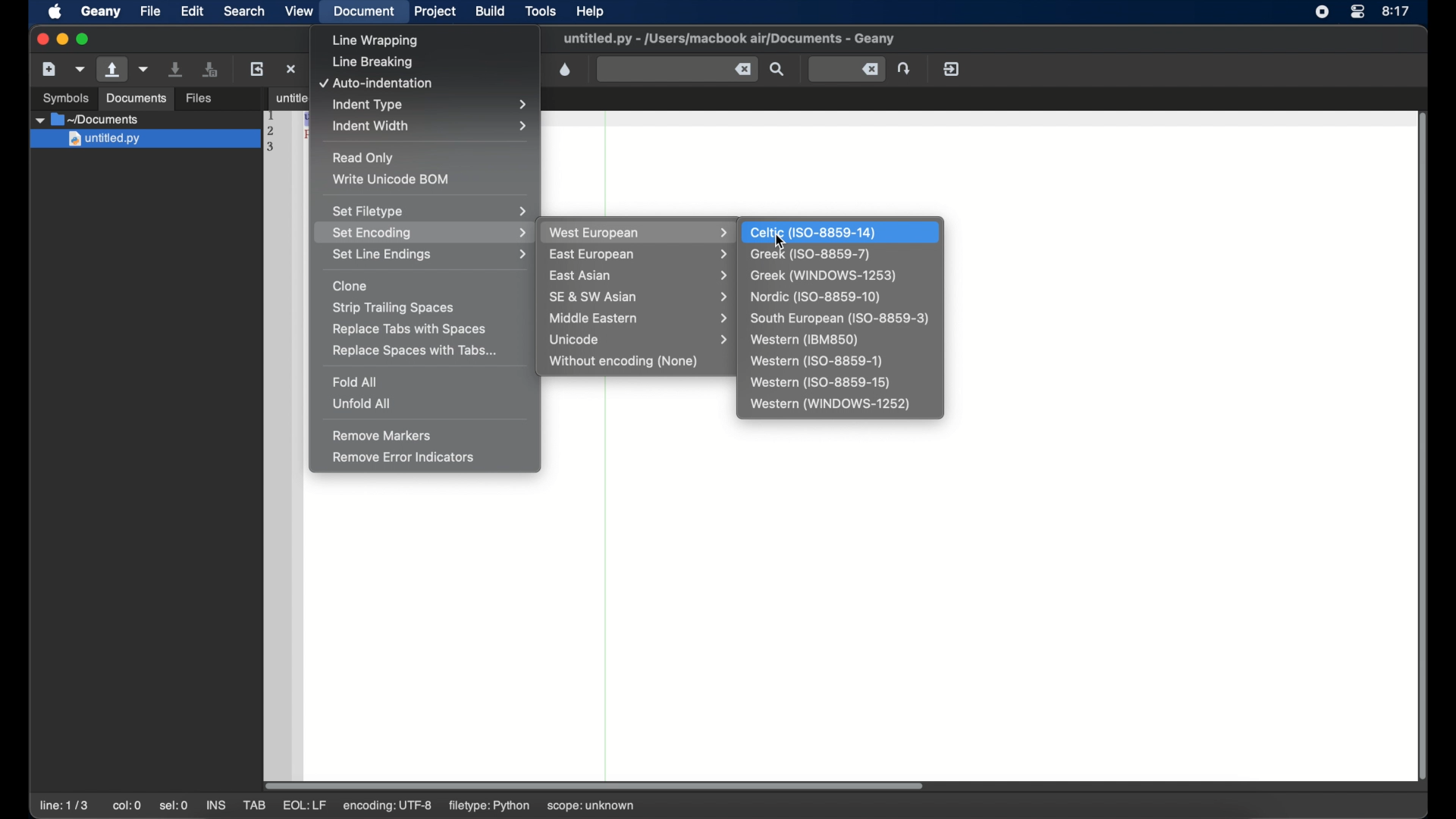  Describe the element at coordinates (491, 11) in the screenshot. I see `build` at that location.